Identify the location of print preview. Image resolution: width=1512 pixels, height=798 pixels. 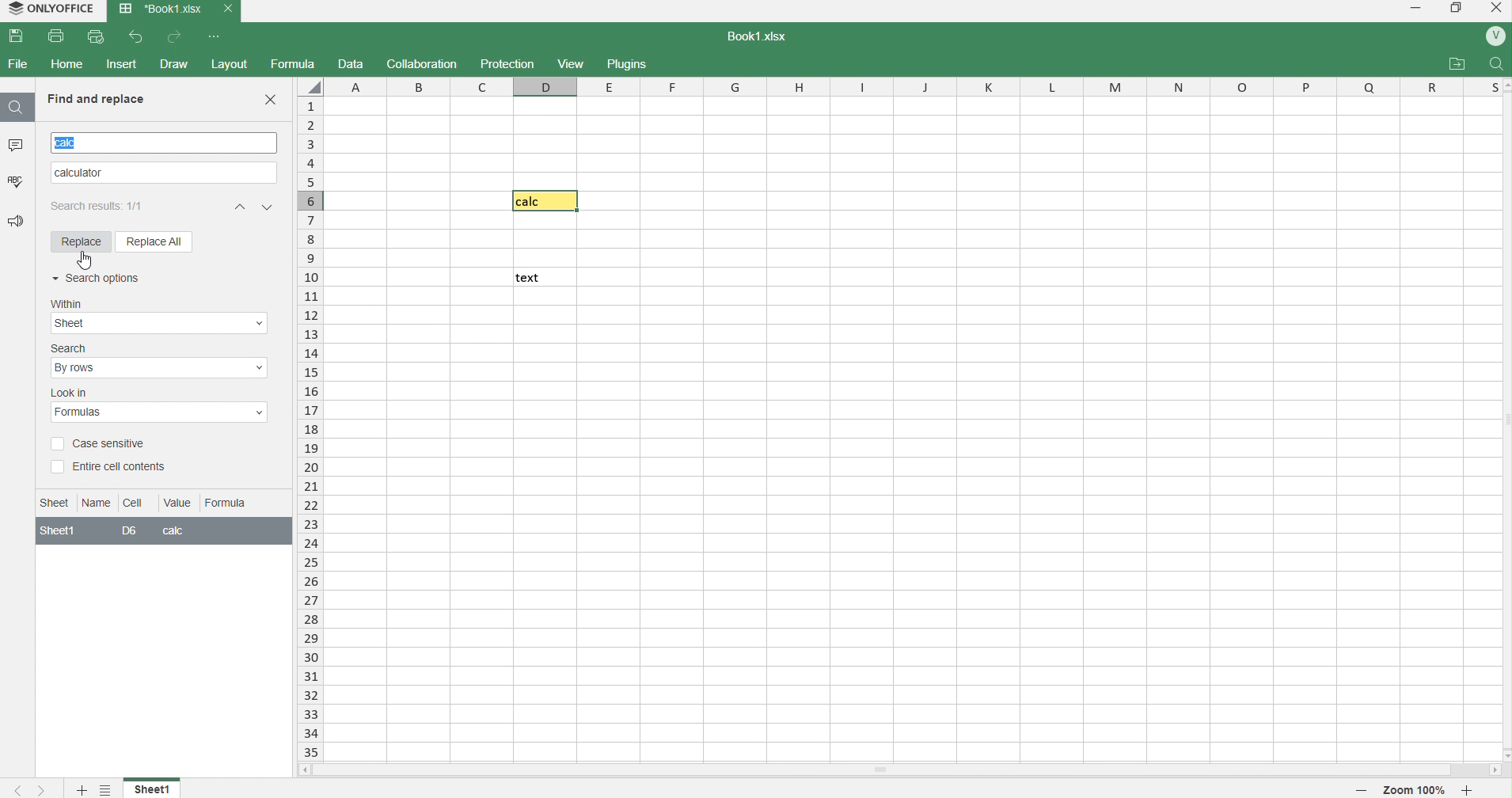
(98, 38).